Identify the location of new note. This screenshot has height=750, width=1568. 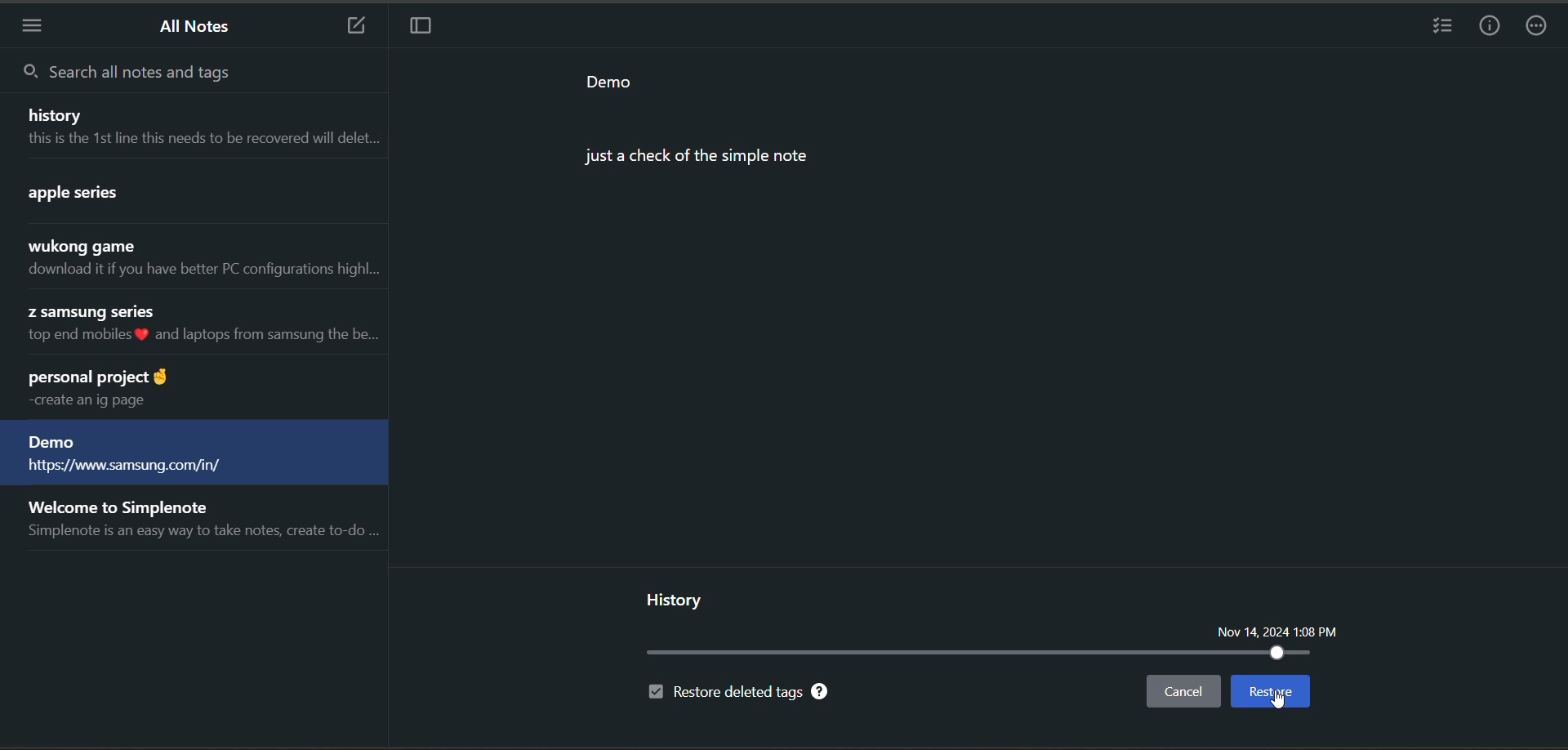
(348, 25).